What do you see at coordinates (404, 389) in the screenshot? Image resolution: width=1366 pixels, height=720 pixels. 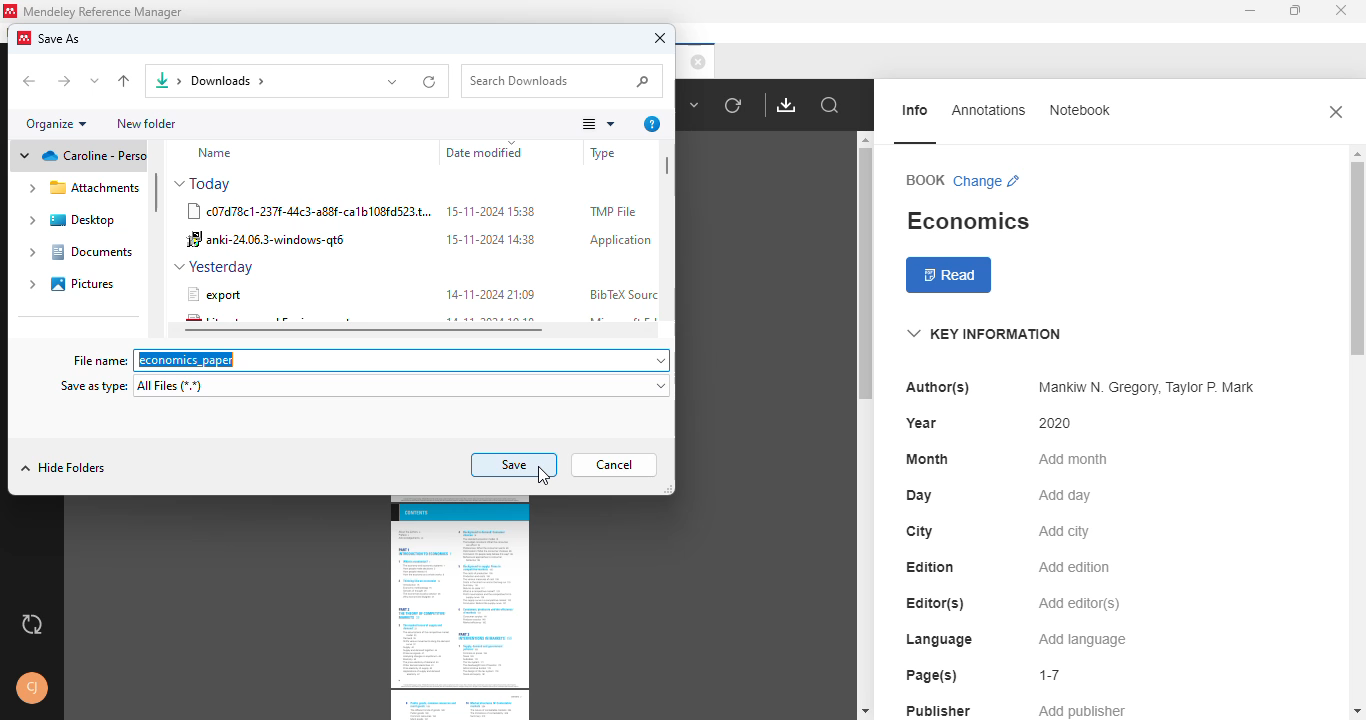 I see `All Files(*.*)` at bounding box center [404, 389].